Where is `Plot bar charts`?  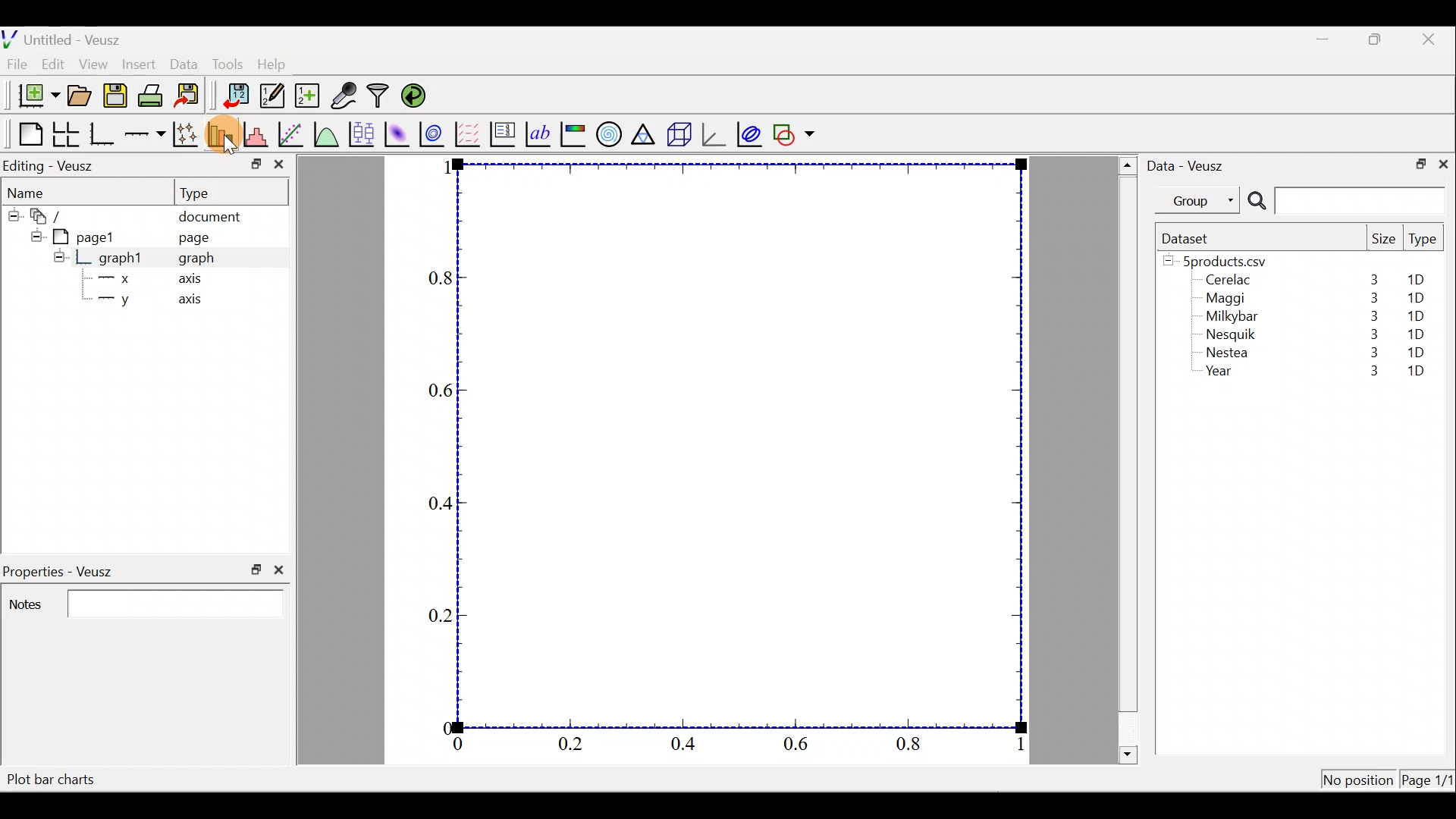
Plot bar charts is located at coordinates (222, 133).